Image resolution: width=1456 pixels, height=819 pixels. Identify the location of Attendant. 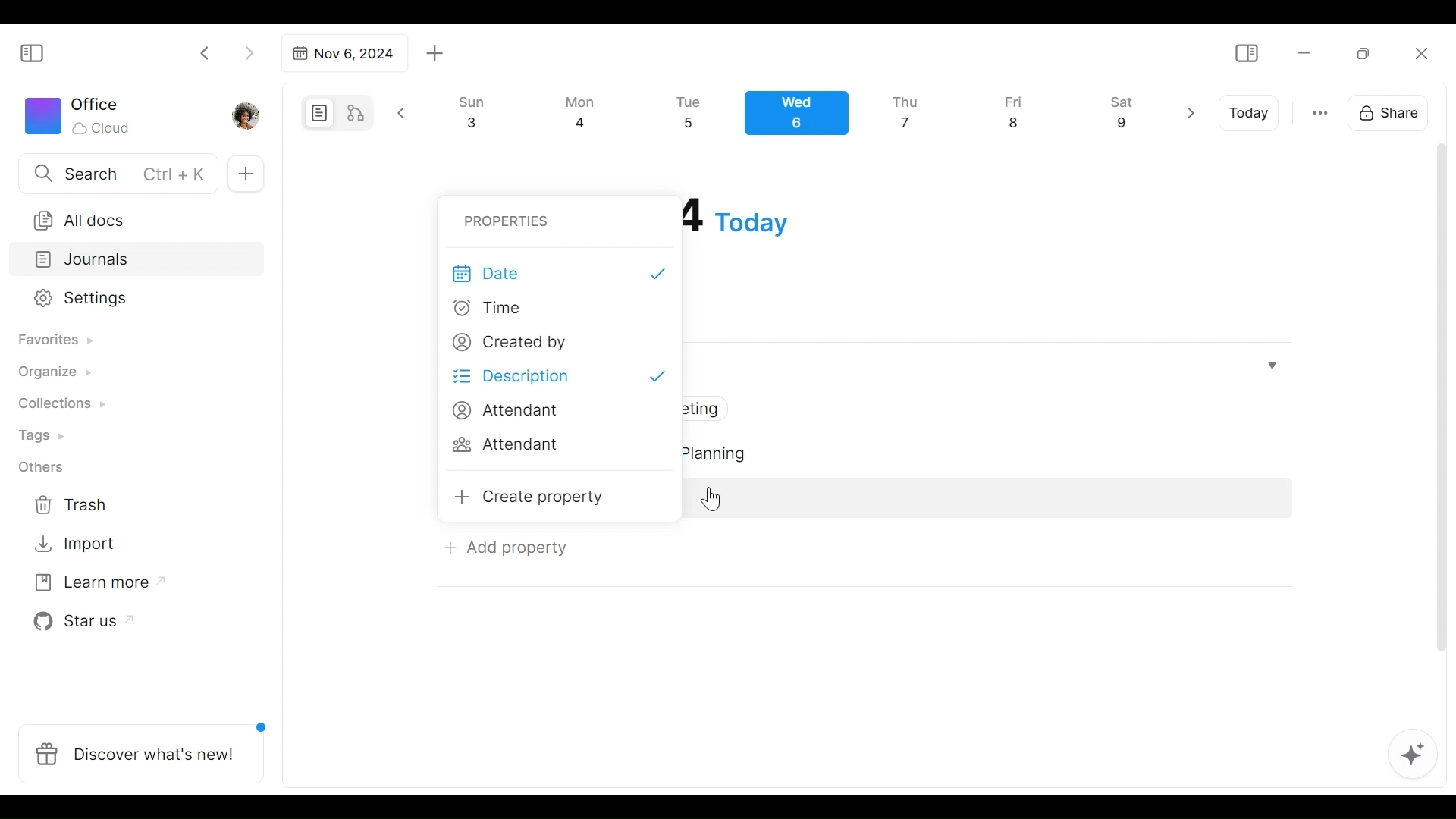
(513, 446).